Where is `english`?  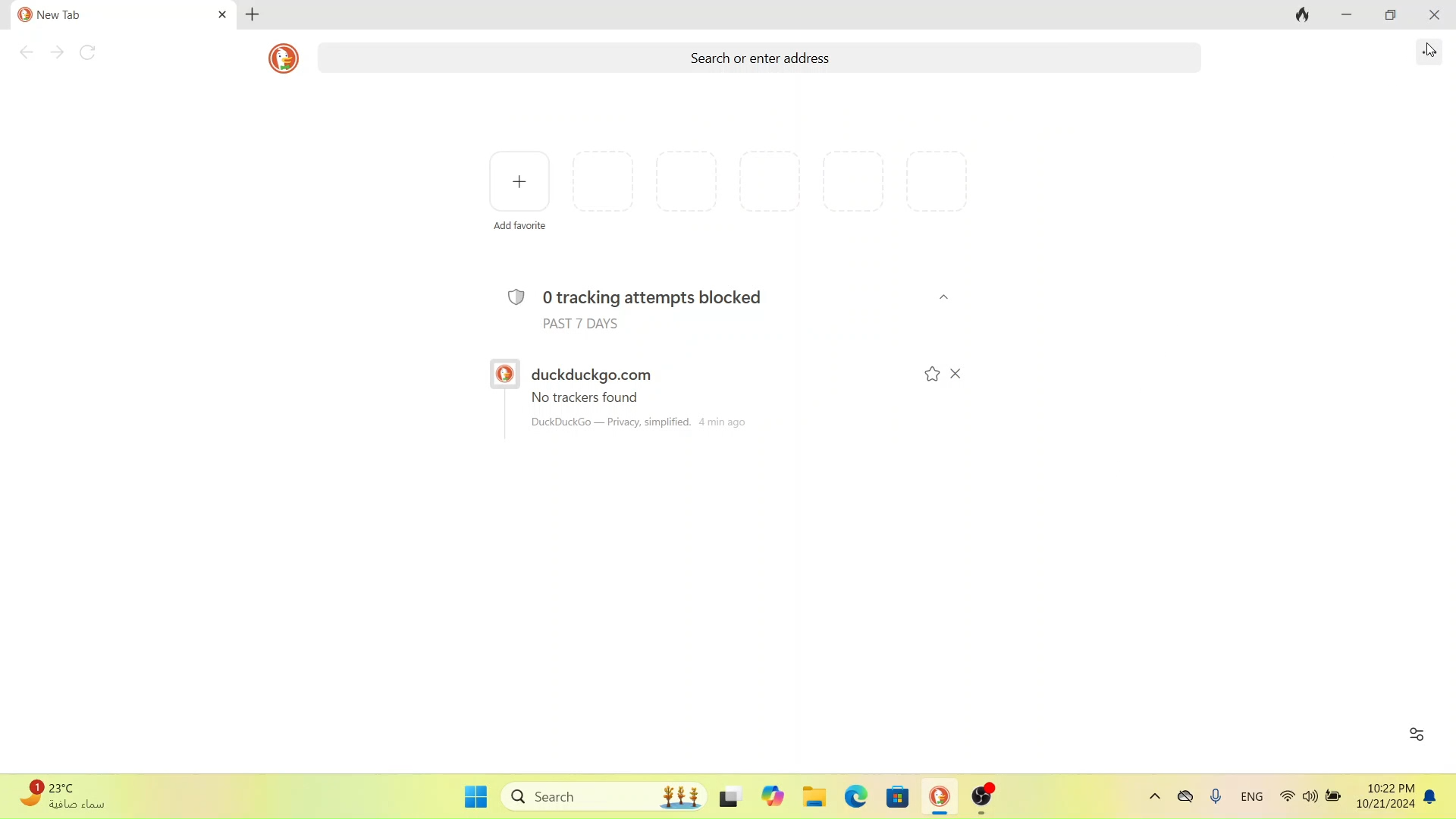
english is located at coordinates (1255, 803).